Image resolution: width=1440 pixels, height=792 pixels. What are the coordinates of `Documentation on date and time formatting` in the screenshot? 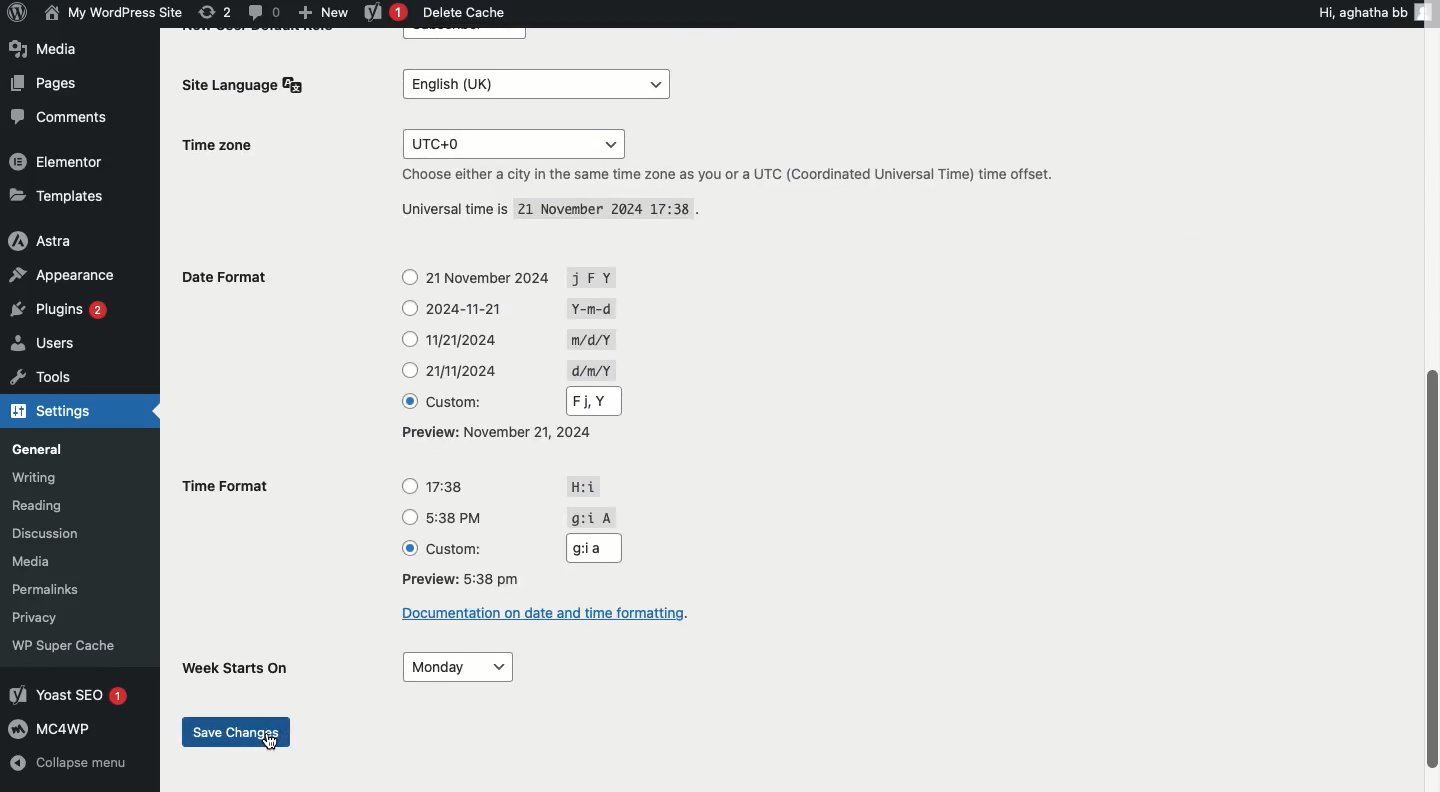 It's located at (548, 617).